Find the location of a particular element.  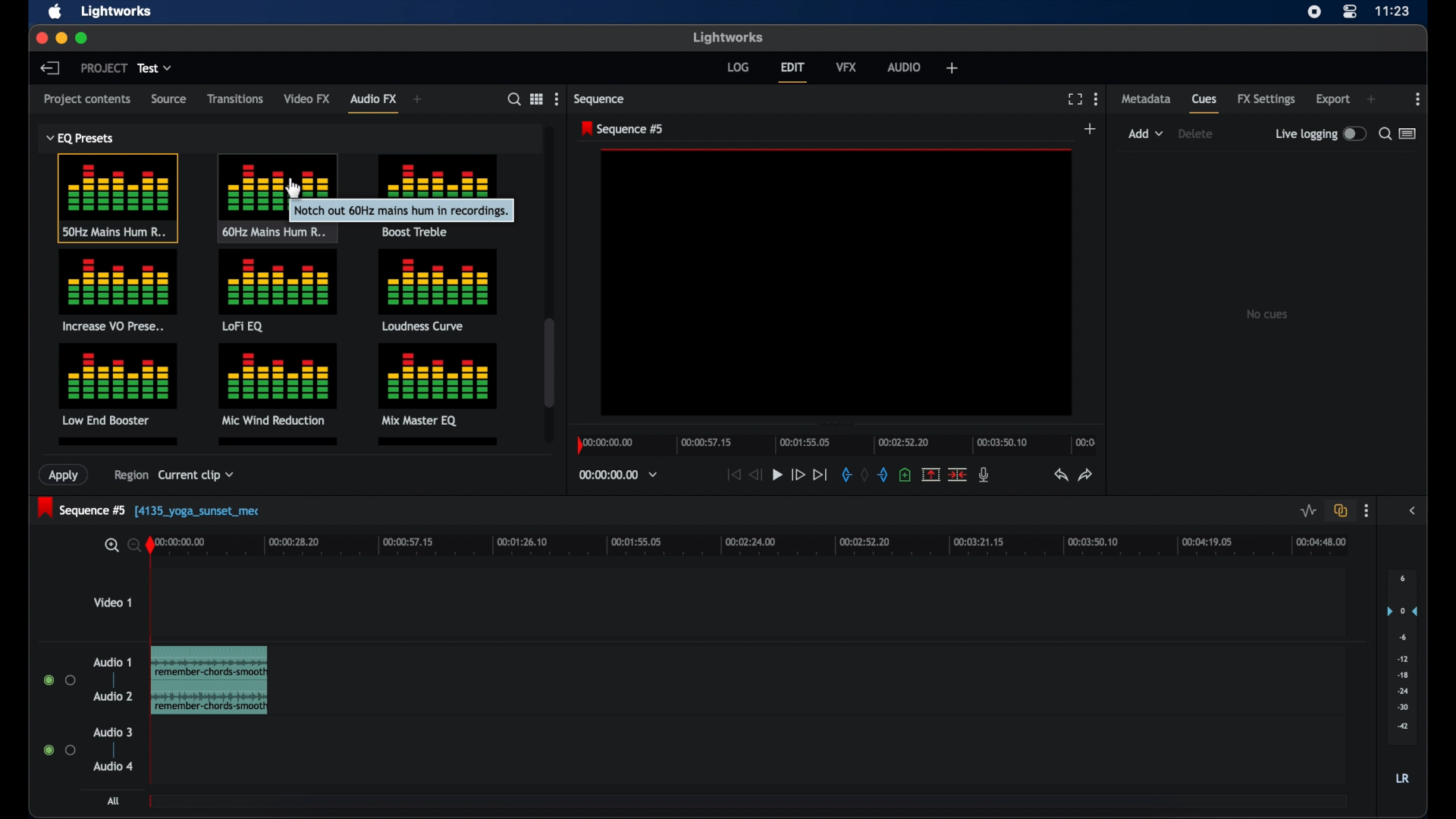

metadata is located at coordinates (1147, 98).